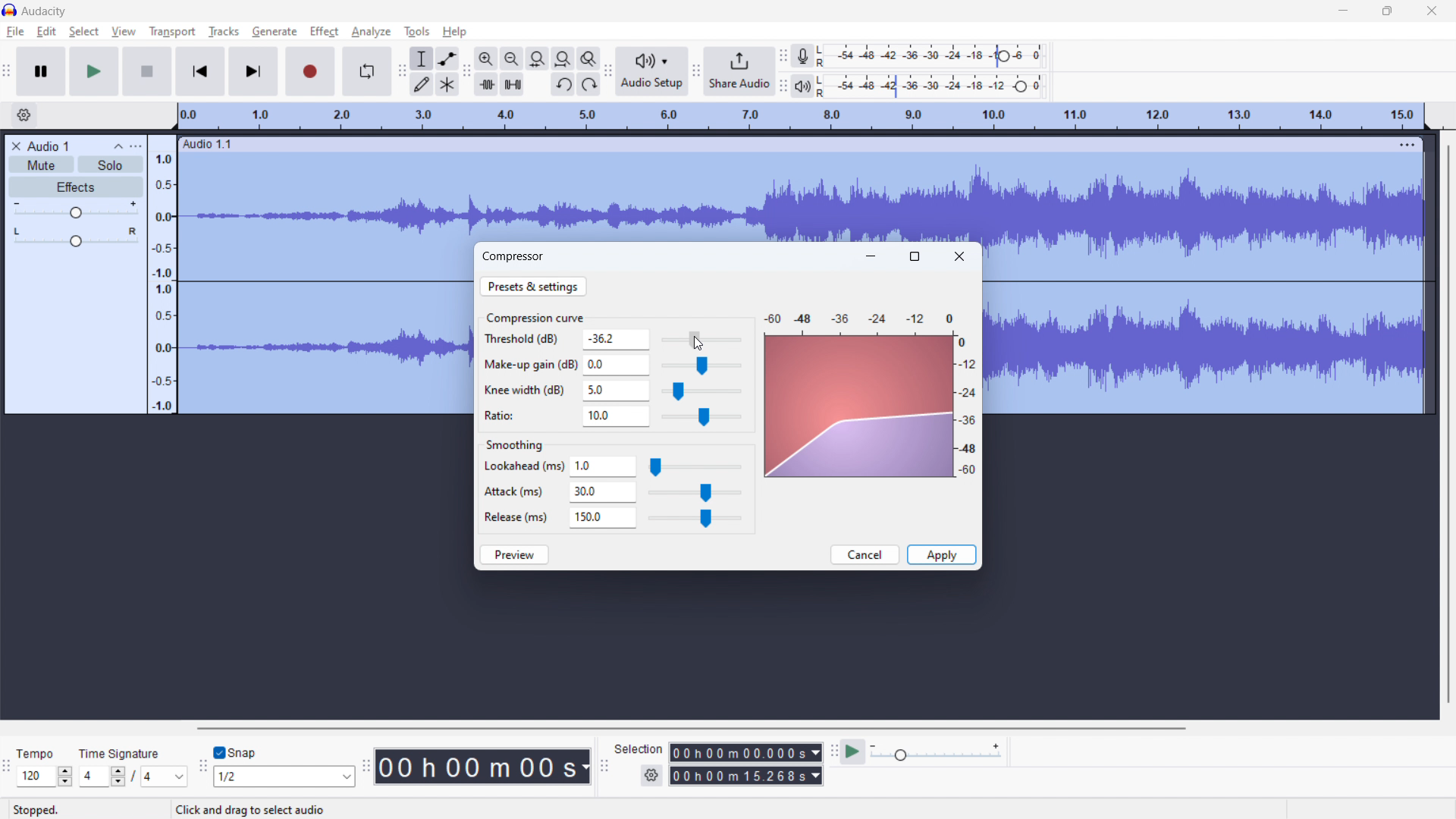 The image size is (1456, 819). I want to click on effects, so click(75, 187).